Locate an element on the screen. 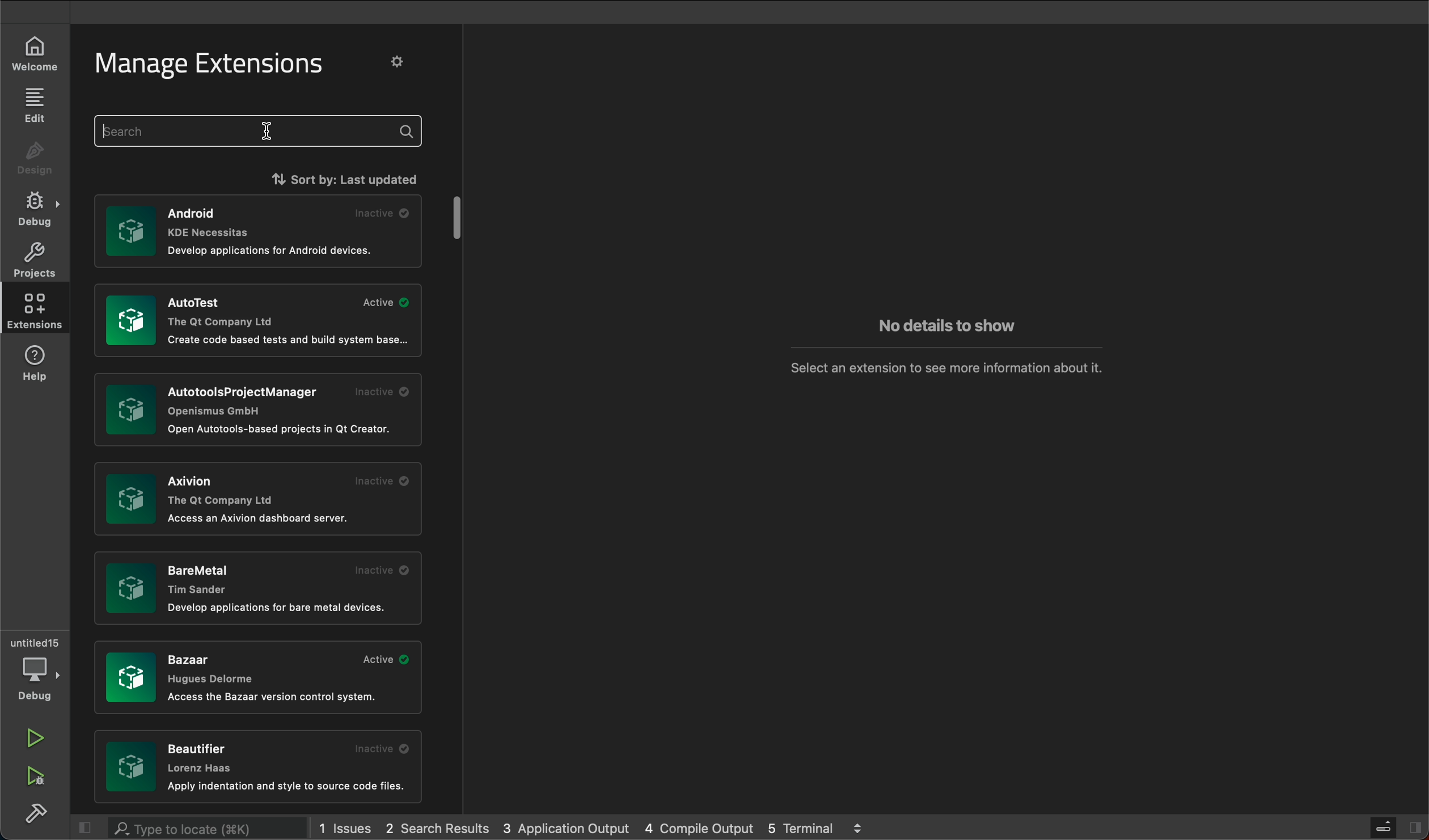  logs is located at coordinates (596, 828).